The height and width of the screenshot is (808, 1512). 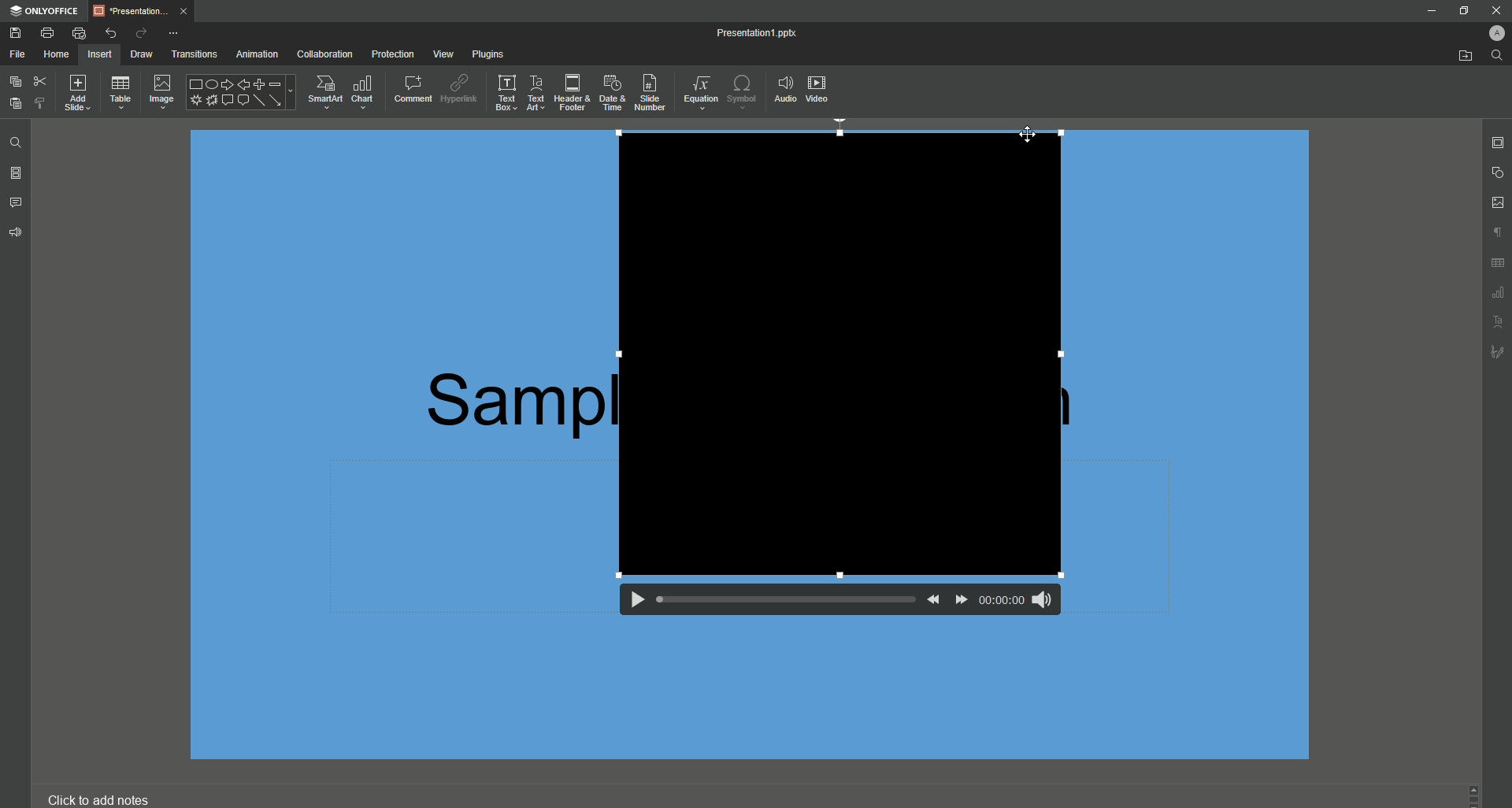 What do you see at coordinates (458, 88) in the screenshot?
I see `Hyperlink` at bounding box center [458, 88].